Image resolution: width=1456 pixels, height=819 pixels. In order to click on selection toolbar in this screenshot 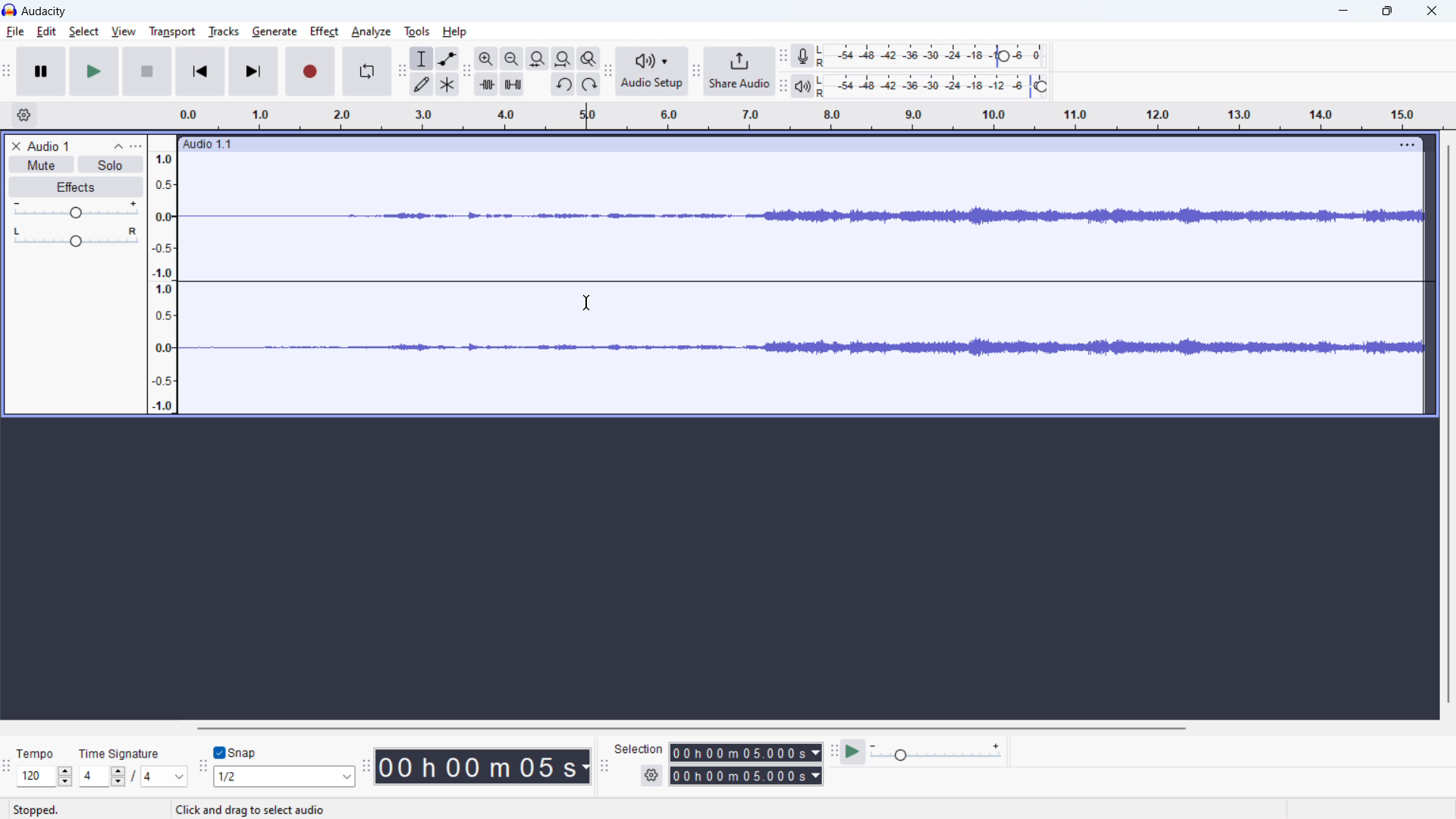, I will do `click(606, 767)`.